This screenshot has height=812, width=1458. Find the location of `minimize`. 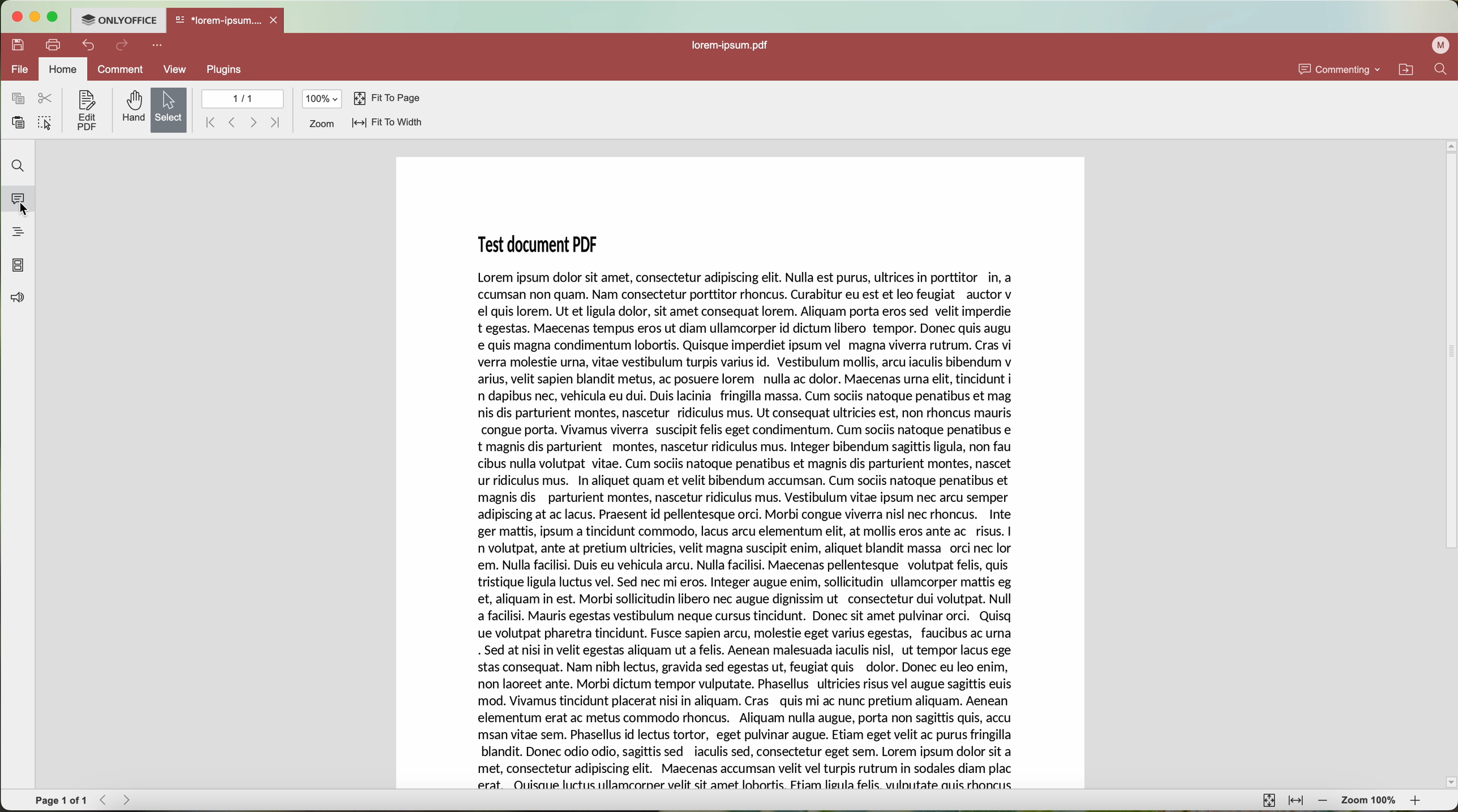

minimize is located at coordinates (33, 18).